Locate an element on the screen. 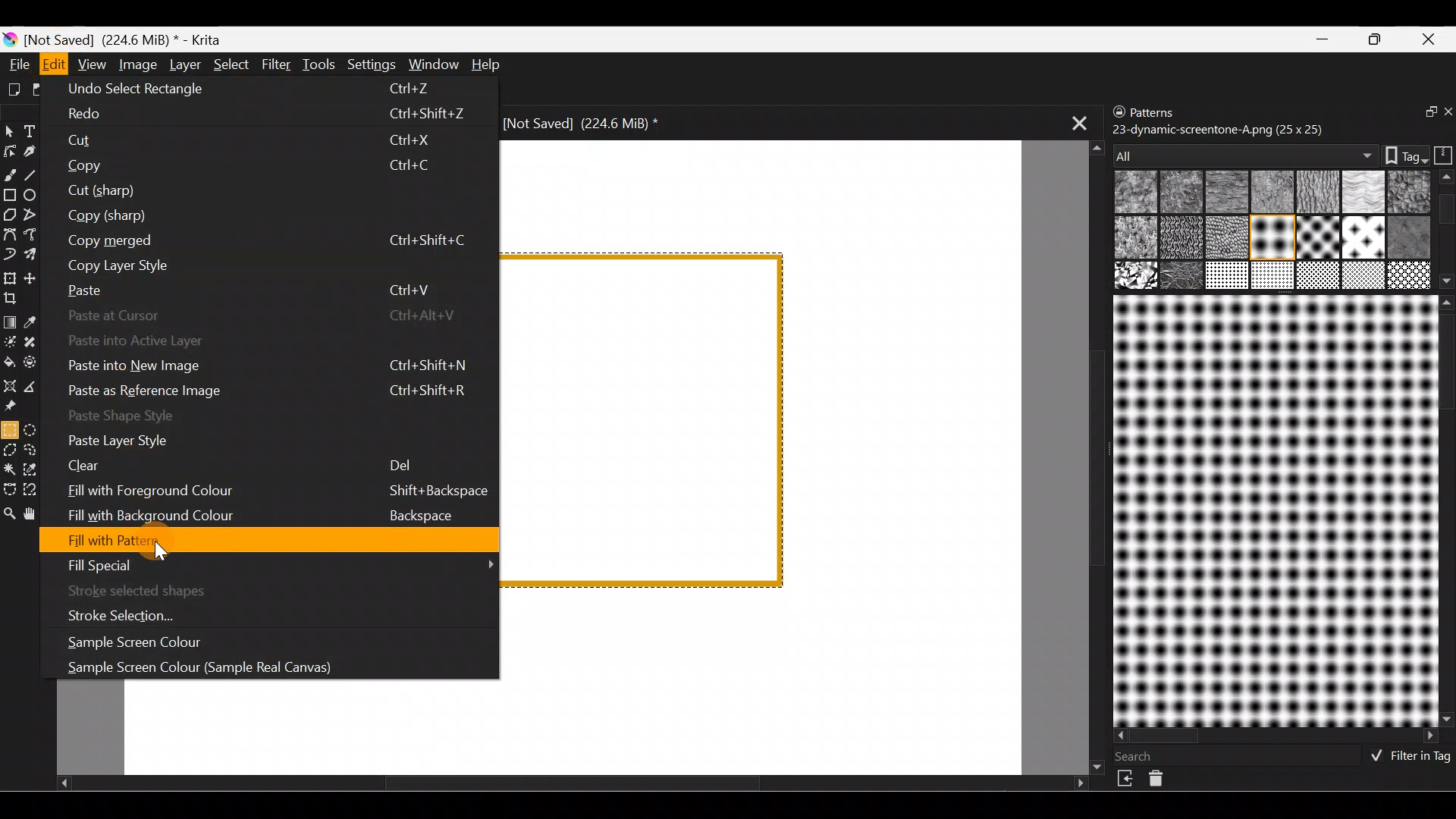 The height and width of the screenshot is (819, 1456). Patterns is located at coordinates (1164, 109).